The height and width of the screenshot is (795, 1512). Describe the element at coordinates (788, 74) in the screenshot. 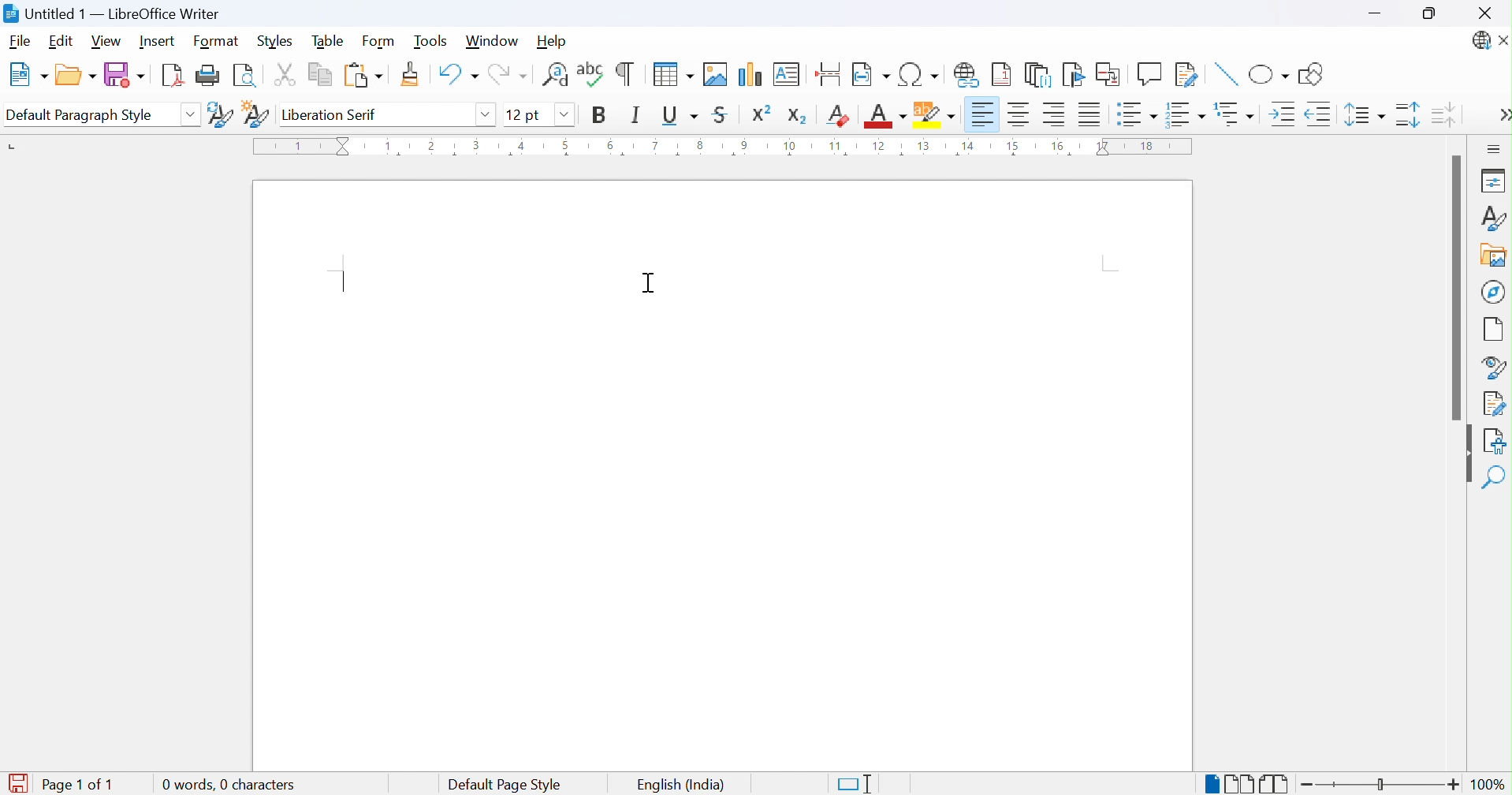

I see `Insert text box` at that location.